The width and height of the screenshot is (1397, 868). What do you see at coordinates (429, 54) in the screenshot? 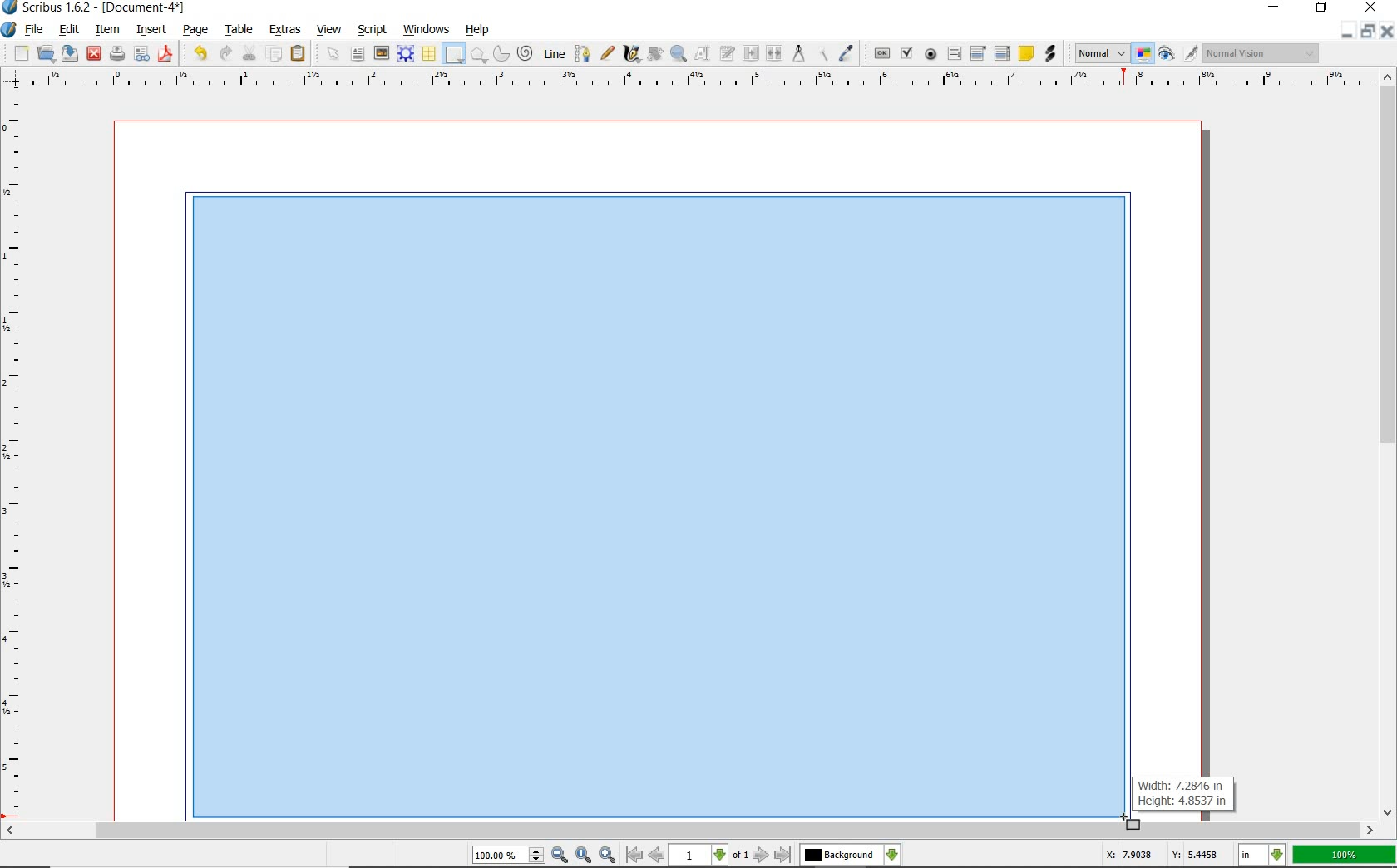
I see `table` at bounding box center [429, 54].